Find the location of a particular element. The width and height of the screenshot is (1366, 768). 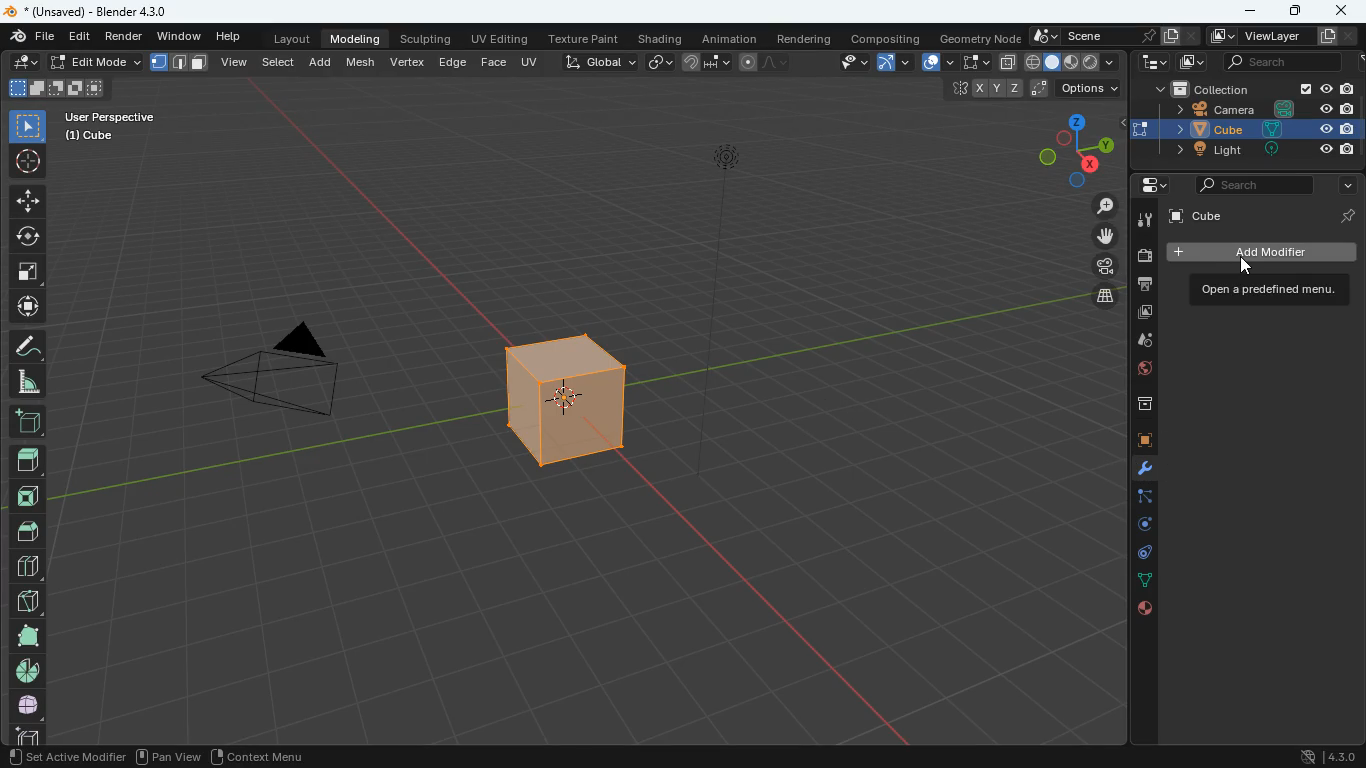

dots is located at coordinates (1141, 582).